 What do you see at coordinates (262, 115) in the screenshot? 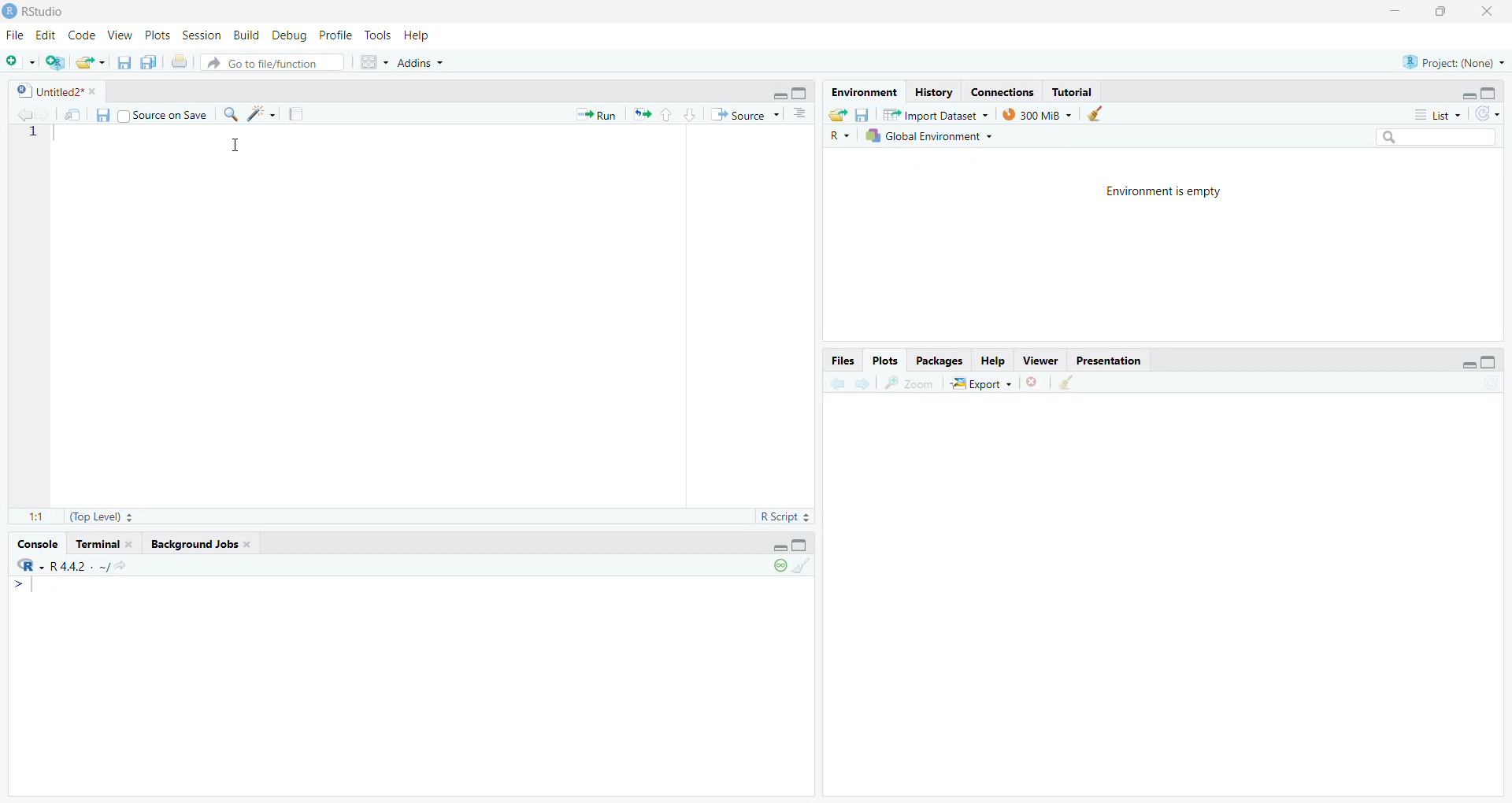
I see `code tools` at bounding box center [262, 115].